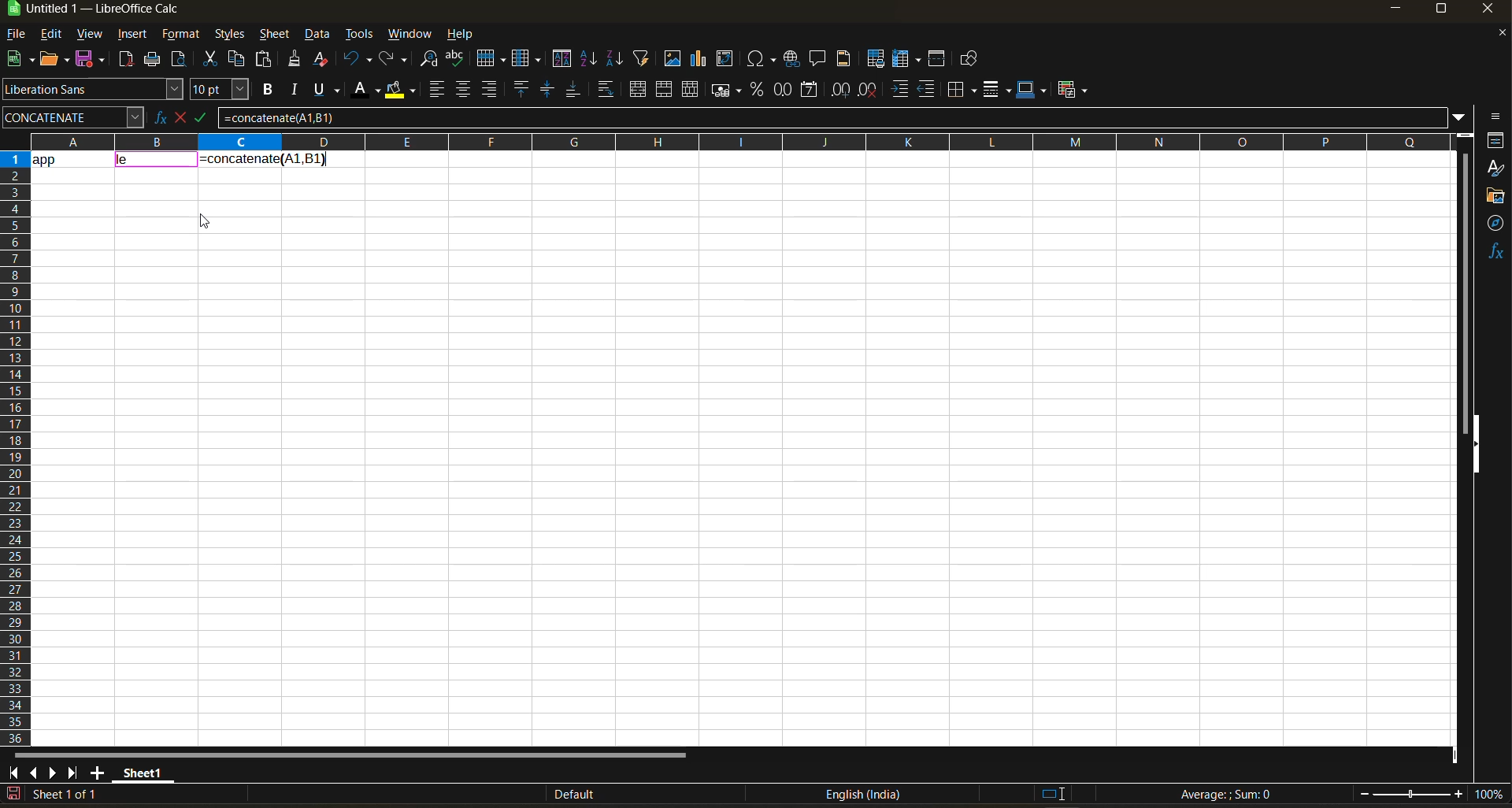 The height and width of the screenshot is (808, 1512). I want to click on underline, so click(331, 89).